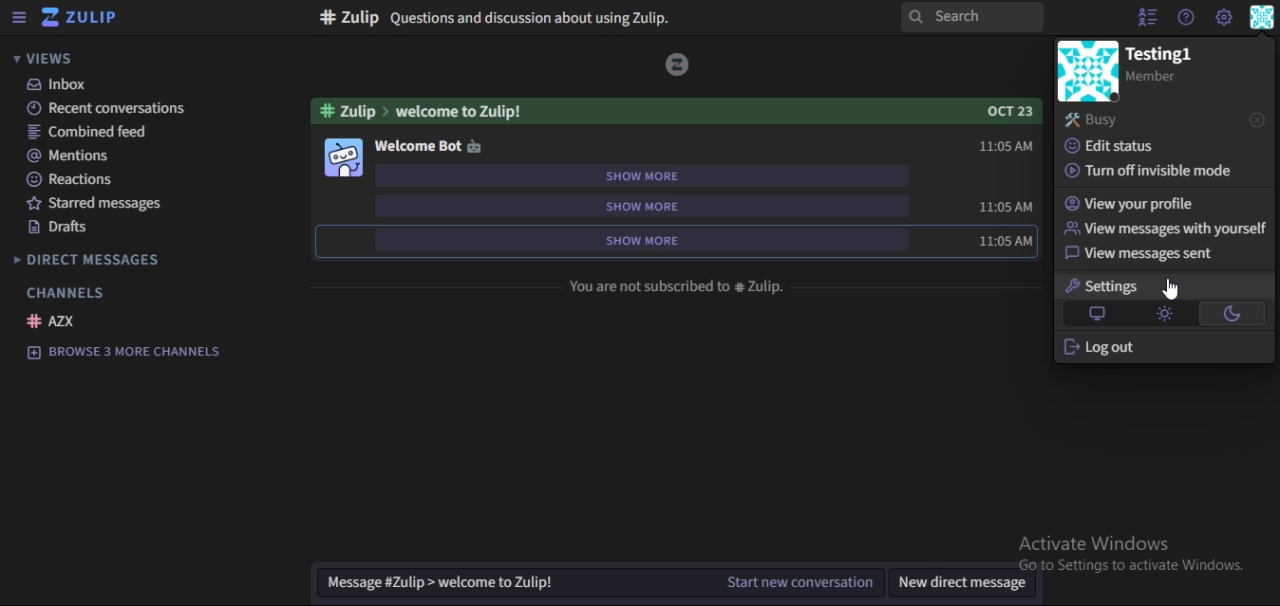 Image resolution: width=1280 pixels, height=606 pixels. Describe the element at coordinates (966, 585) in the screenshot. I see `new dm` at that location.